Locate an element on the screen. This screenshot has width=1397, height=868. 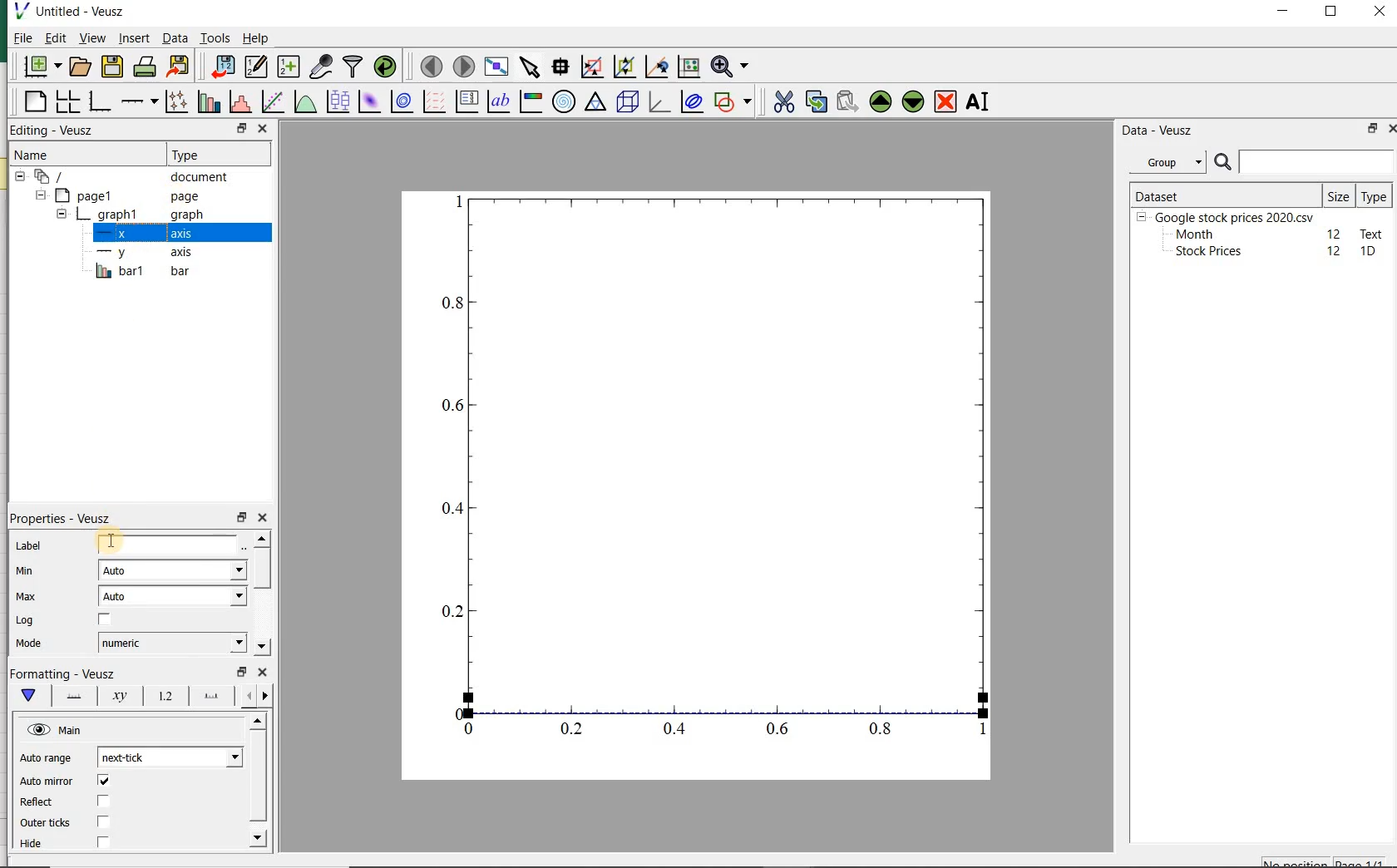
scrollbar is located at coordinates (256, 783).